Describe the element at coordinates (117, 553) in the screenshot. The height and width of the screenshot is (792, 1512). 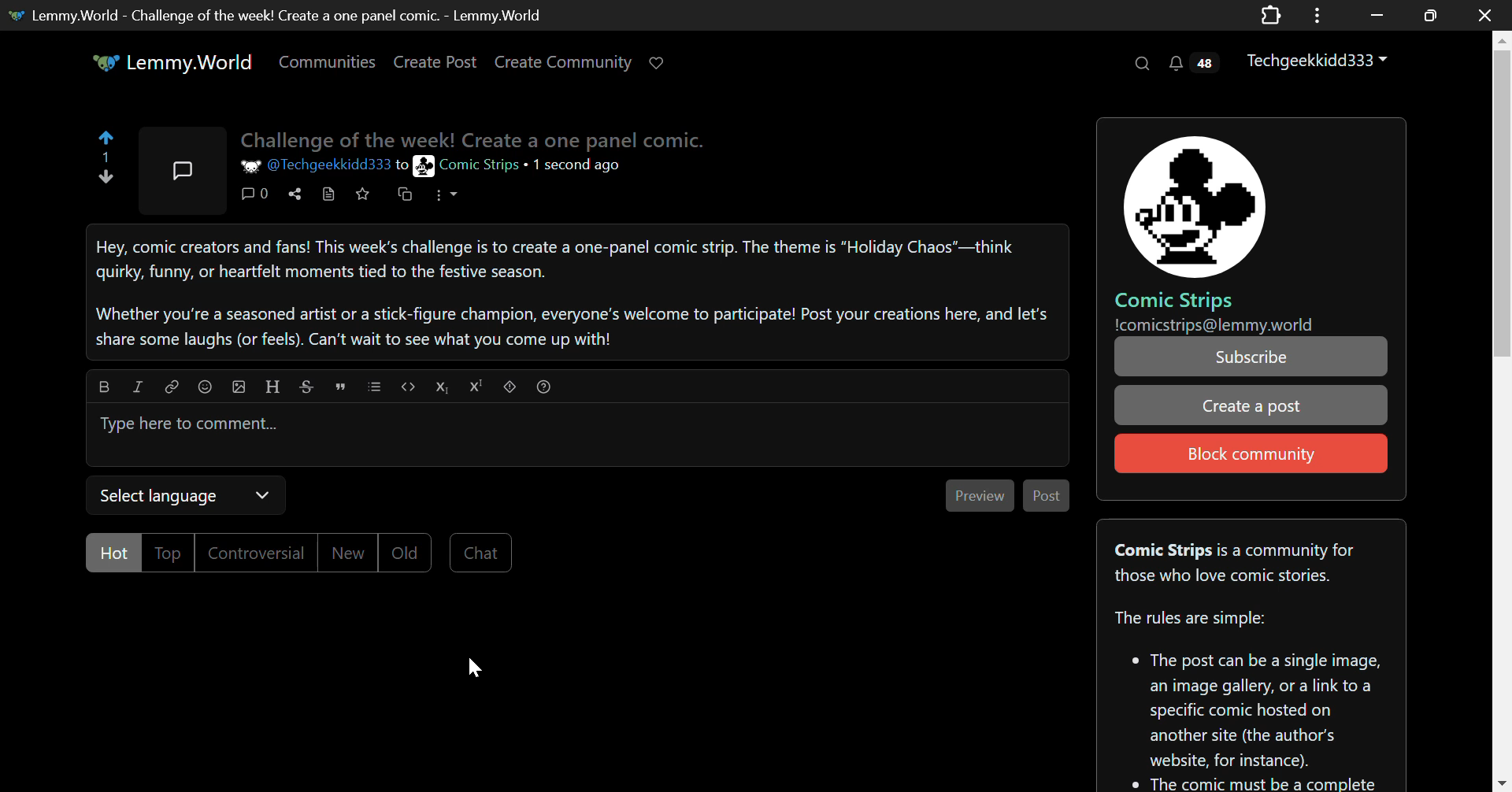
I see `Hot` at that location.